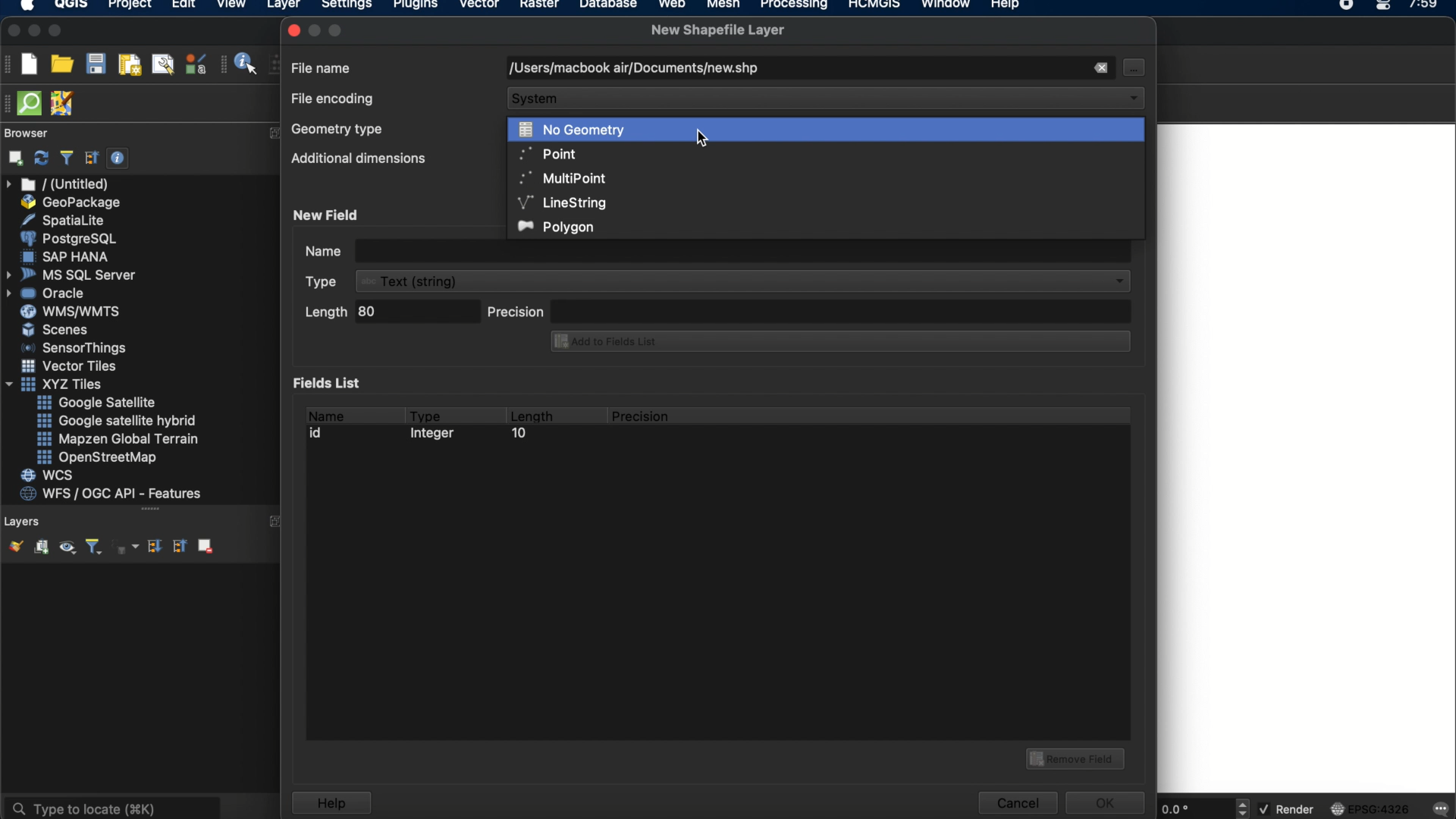 This screenshot has width=1456, height=819. I want to click on cancel, so click(1016, 803).